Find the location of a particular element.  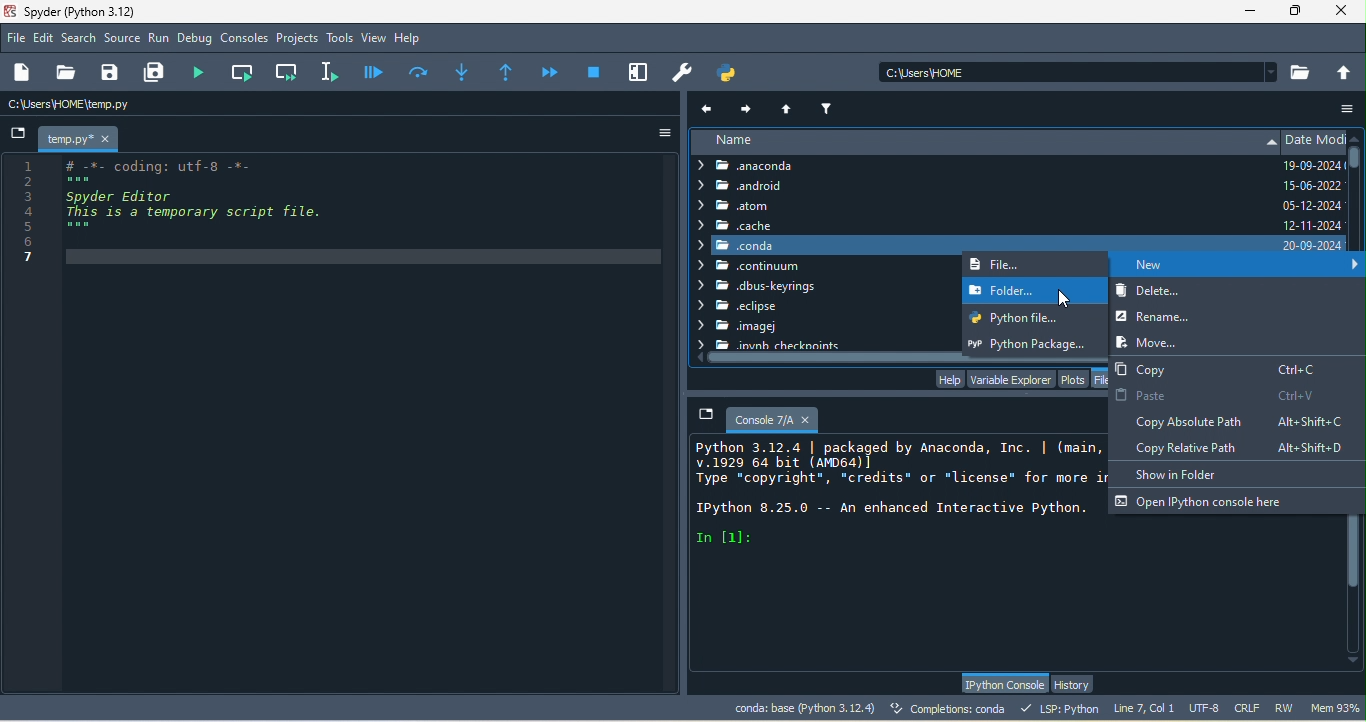

lsp python is located at coordinates (1063, 708).